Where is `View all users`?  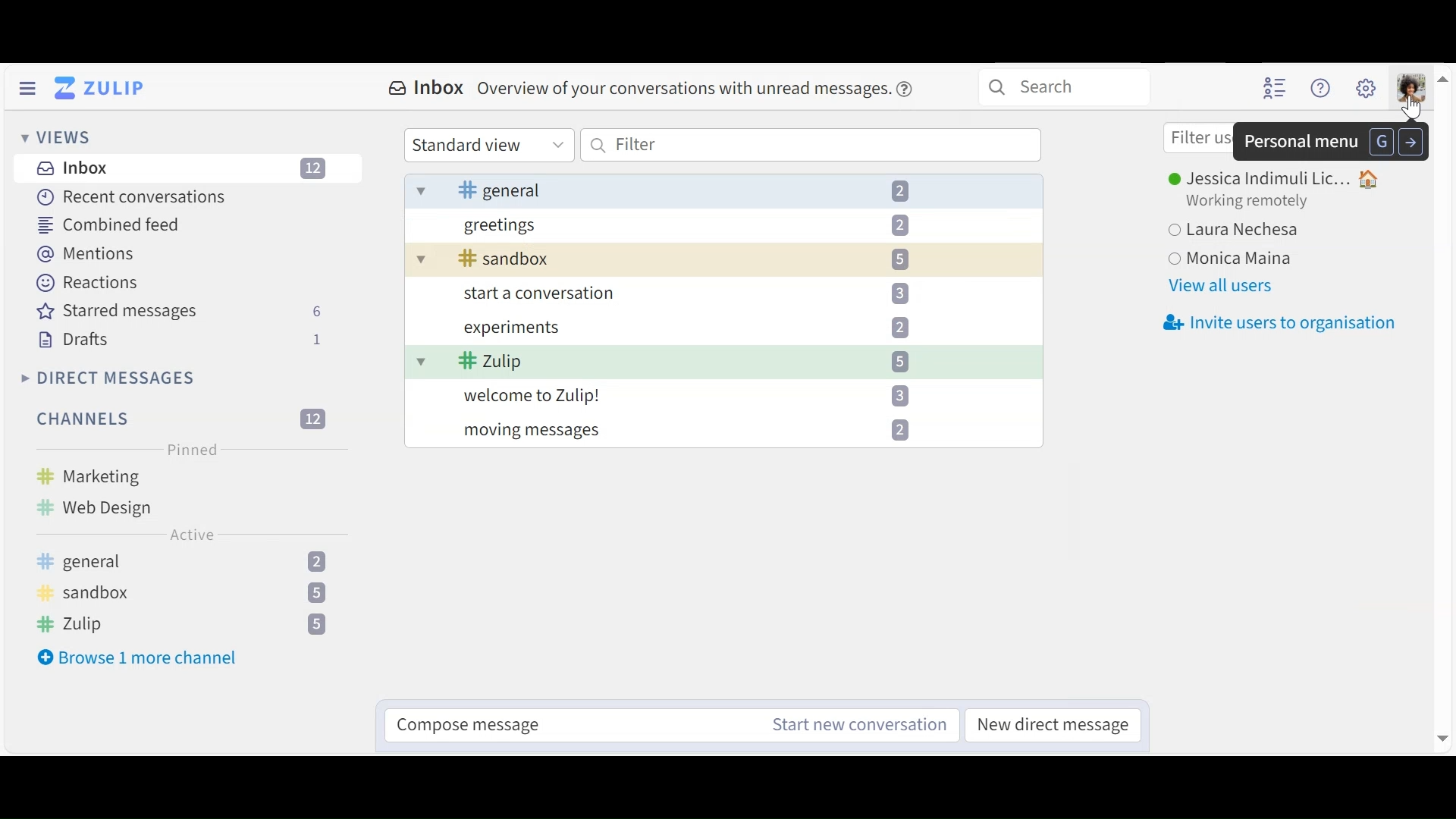
View all users is located at coordinates (1222, 287).